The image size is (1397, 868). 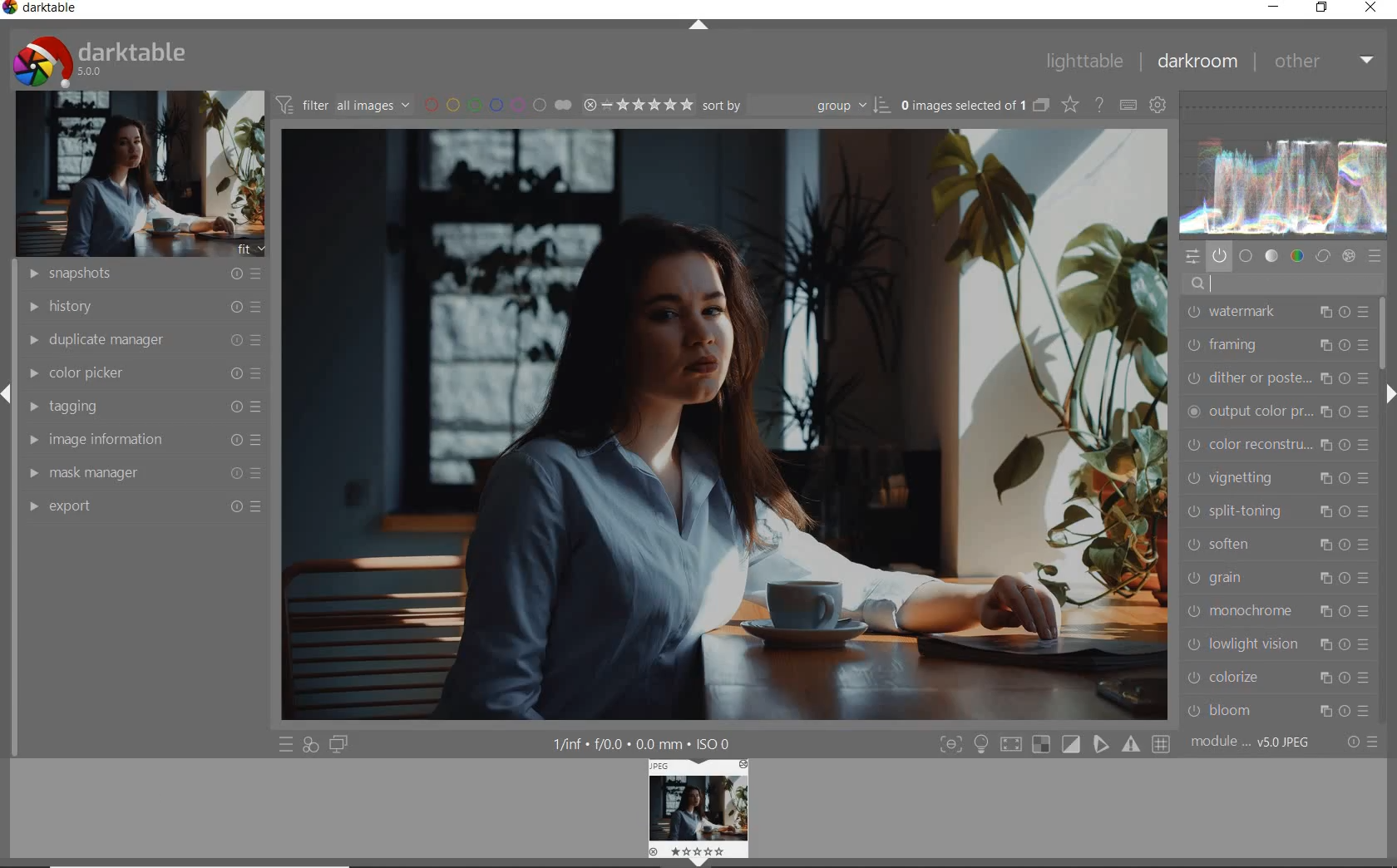 What do you see at coordinates (1296, 256) in the screenshot?
I see `color` at bounding box center [1296, 256].